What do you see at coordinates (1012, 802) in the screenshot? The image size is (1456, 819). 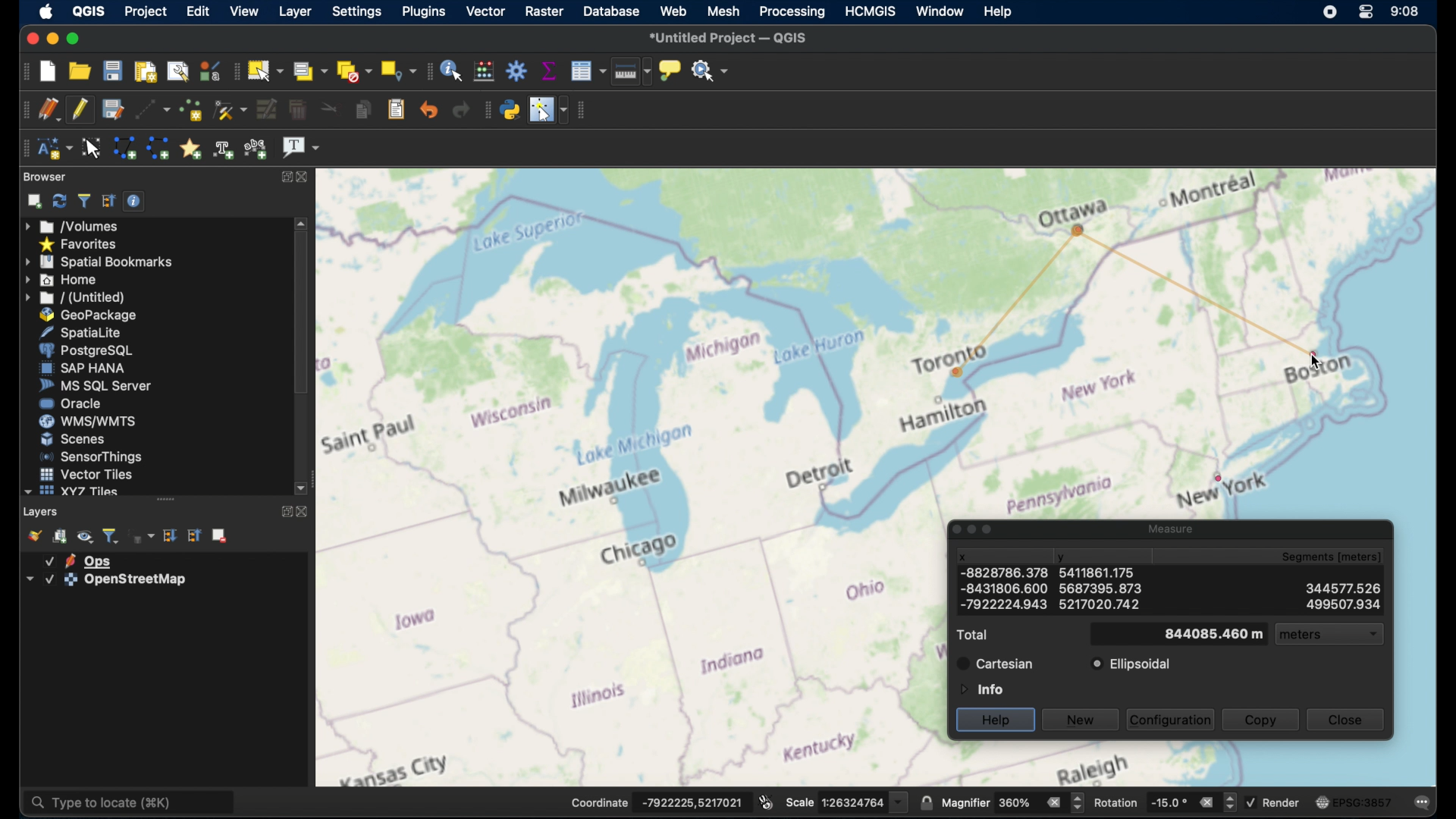 I see `magnifier` at bounding box center [1012, 802].